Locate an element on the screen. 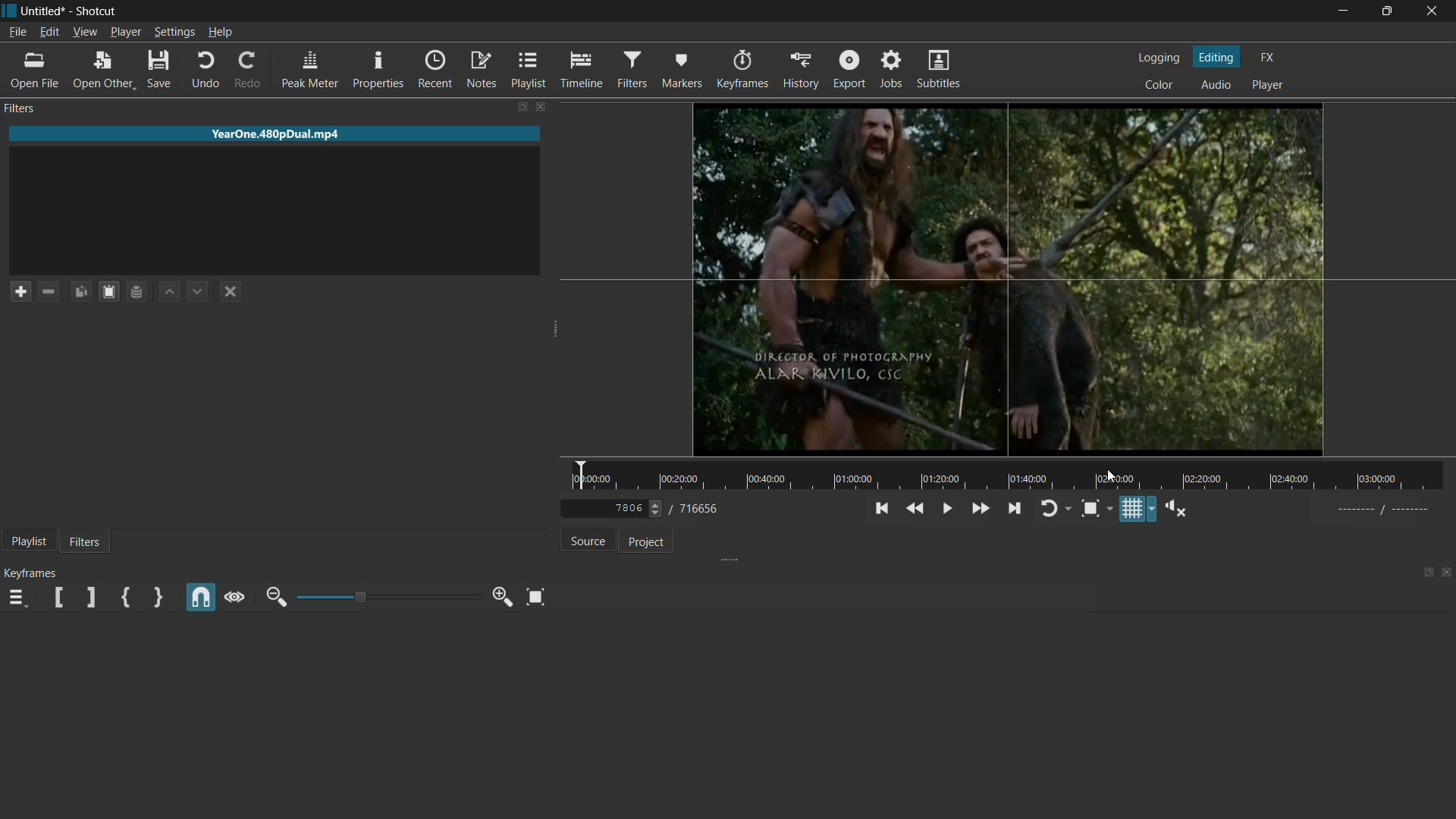 The height and width of the screenshot is (819, 1456). audio is located at coordinates (1218, 86).